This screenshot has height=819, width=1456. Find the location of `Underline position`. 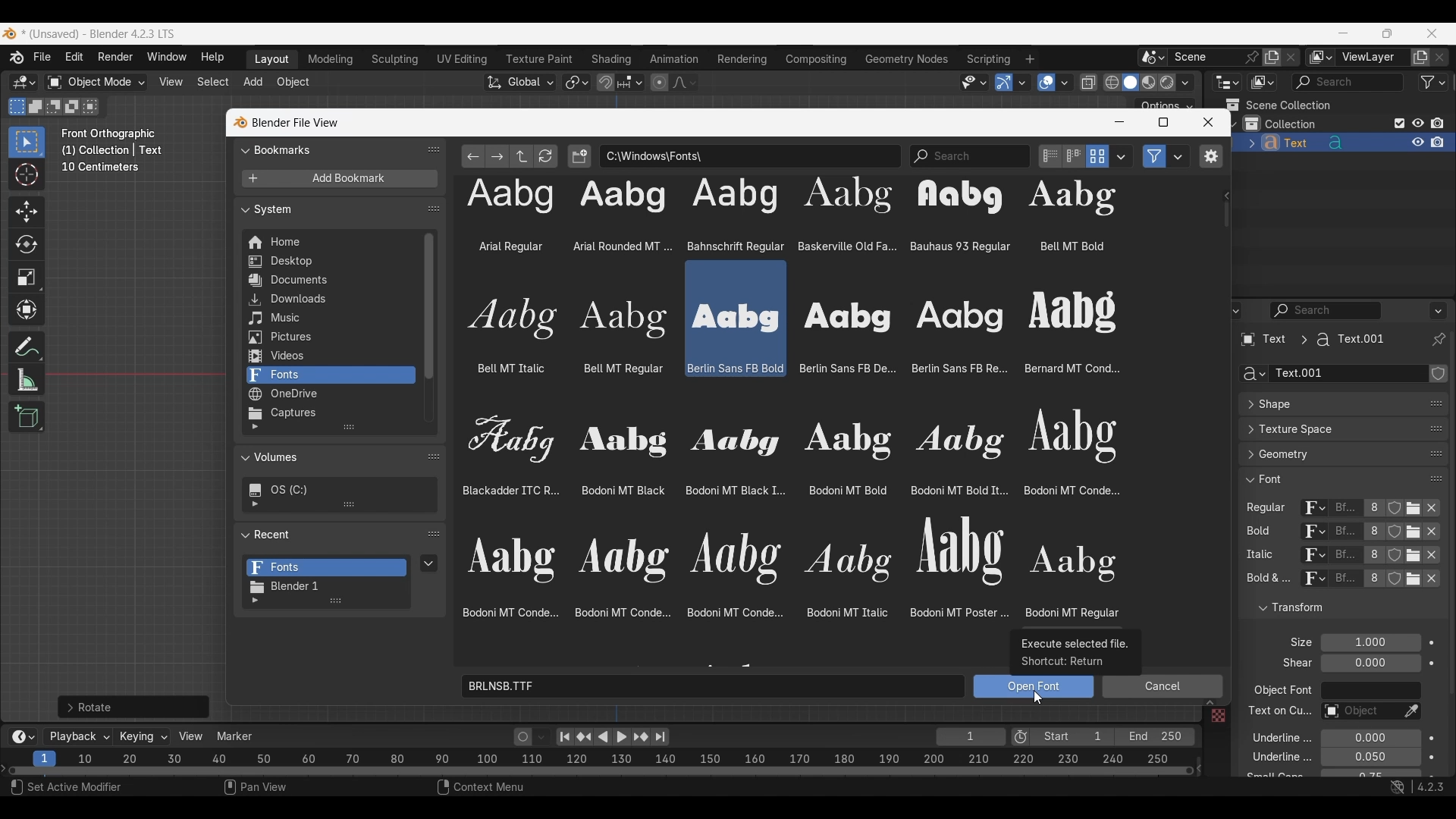

Underline position is located at coordinates (1370, 739).